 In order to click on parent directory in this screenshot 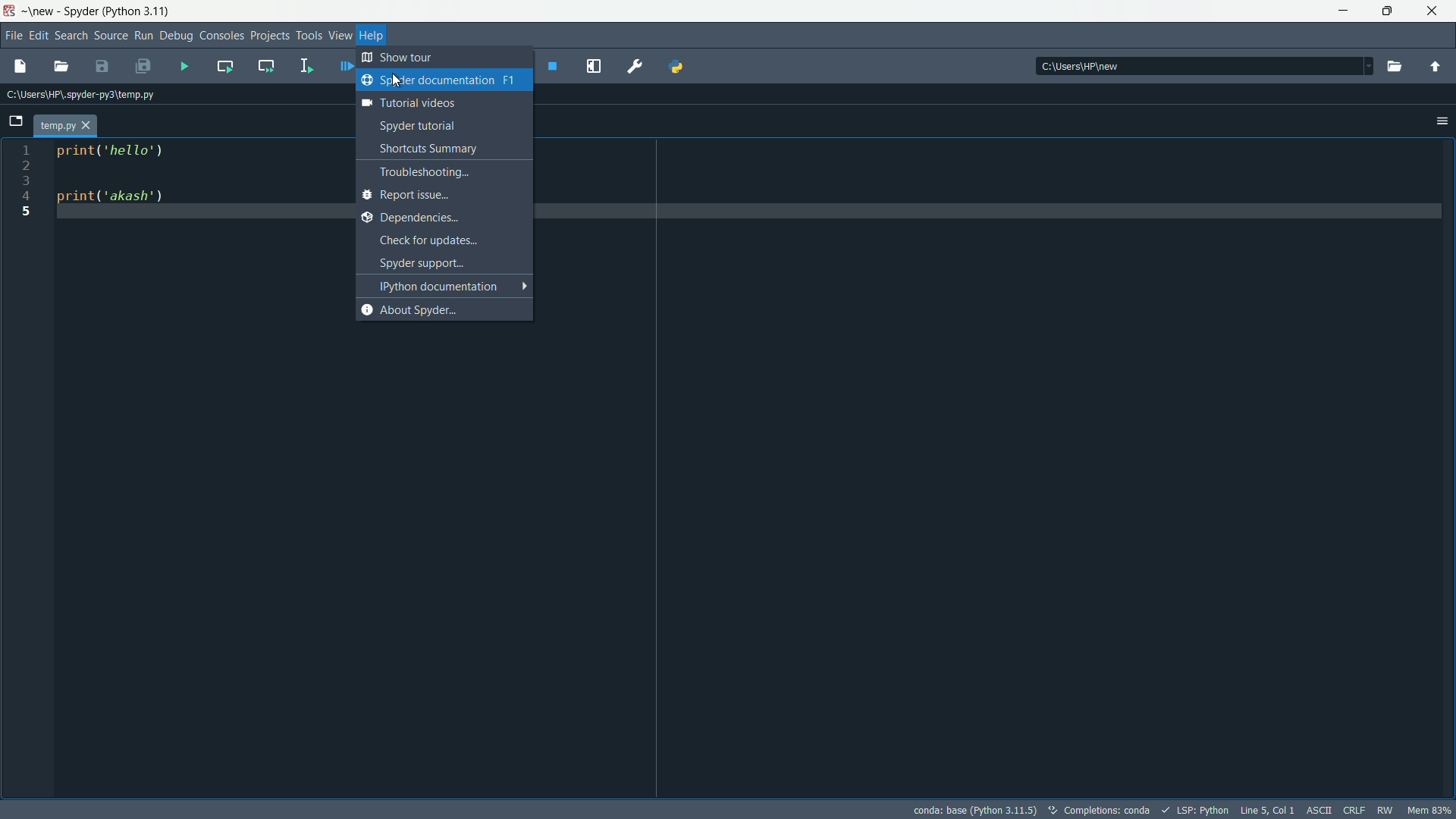, I will do `click(1435, 67)`.